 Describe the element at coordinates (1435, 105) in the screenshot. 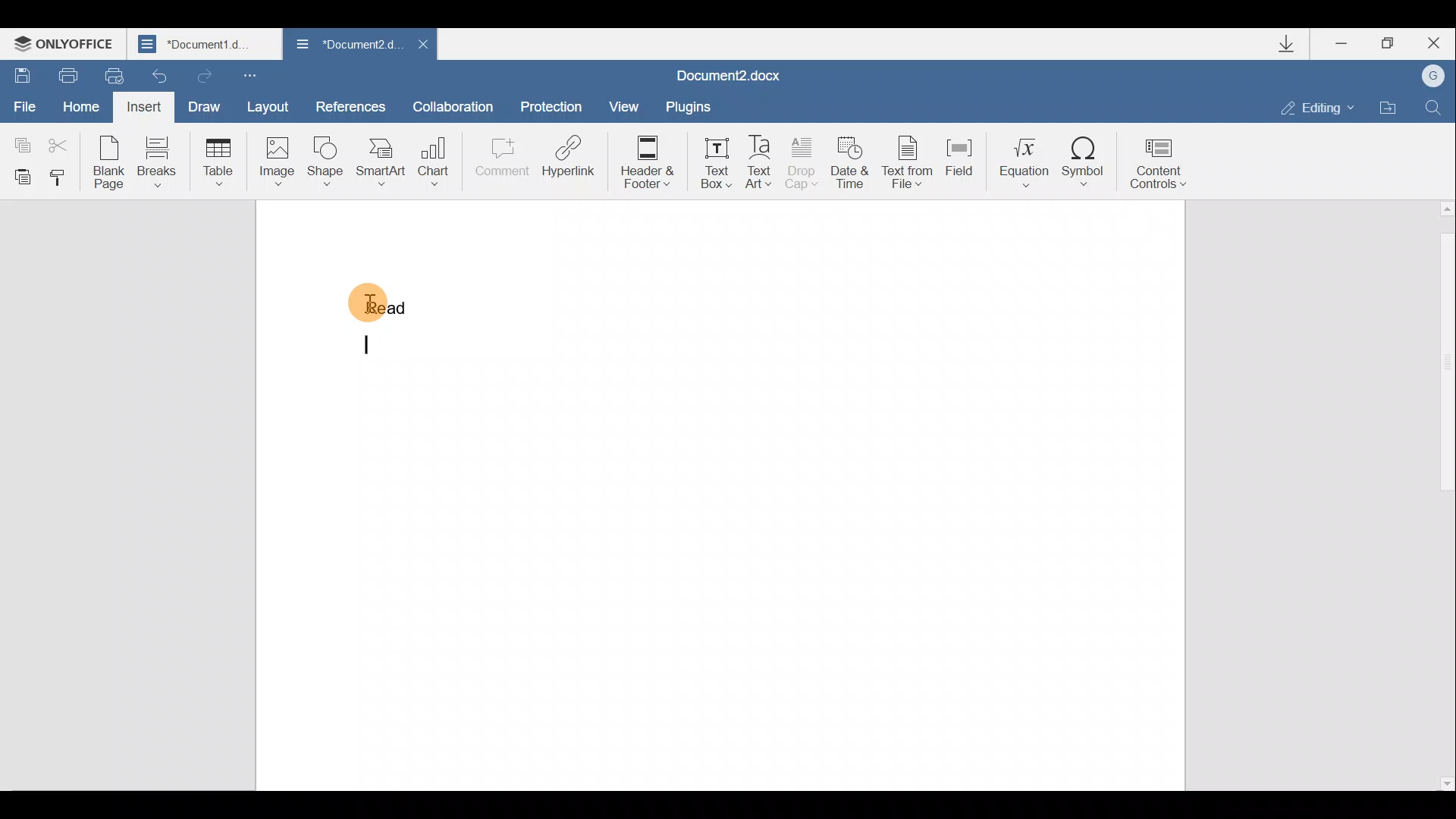

I see `Find` at that location.